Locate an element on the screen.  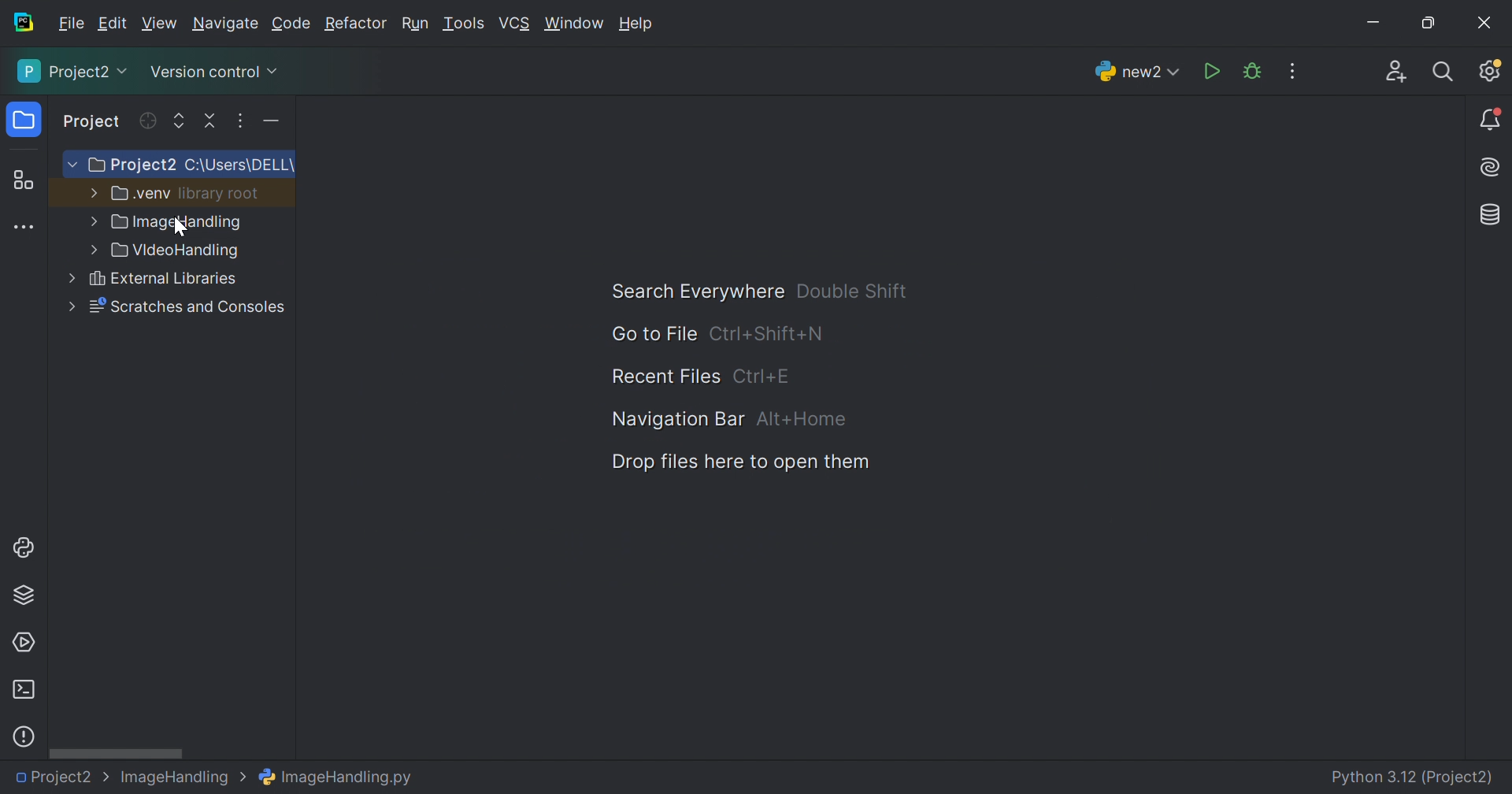
Cursor is located at coordinates (180, 229).